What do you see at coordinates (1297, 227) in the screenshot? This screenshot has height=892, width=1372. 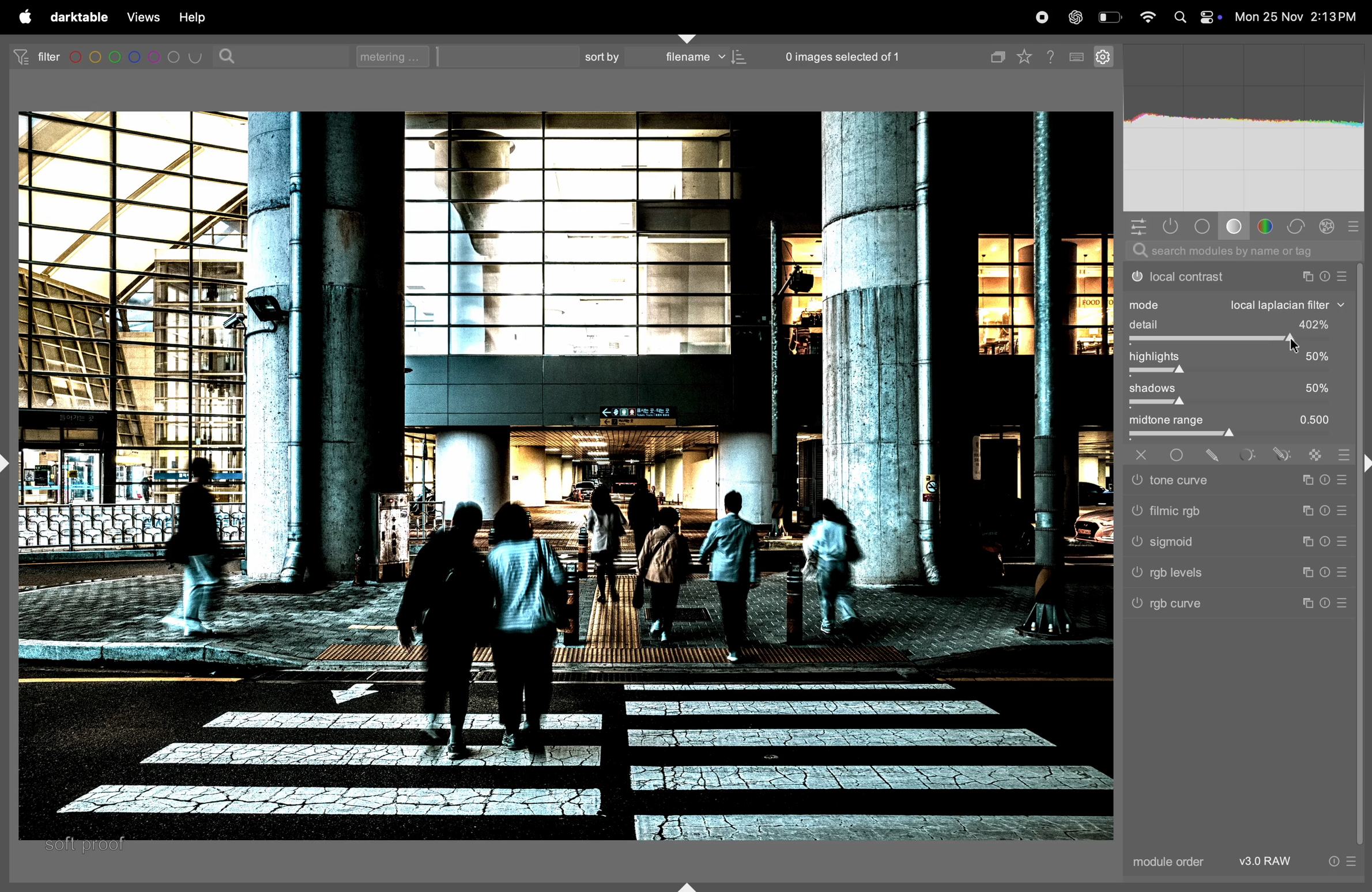 I see `correct` at bounding box center [1297, 227].